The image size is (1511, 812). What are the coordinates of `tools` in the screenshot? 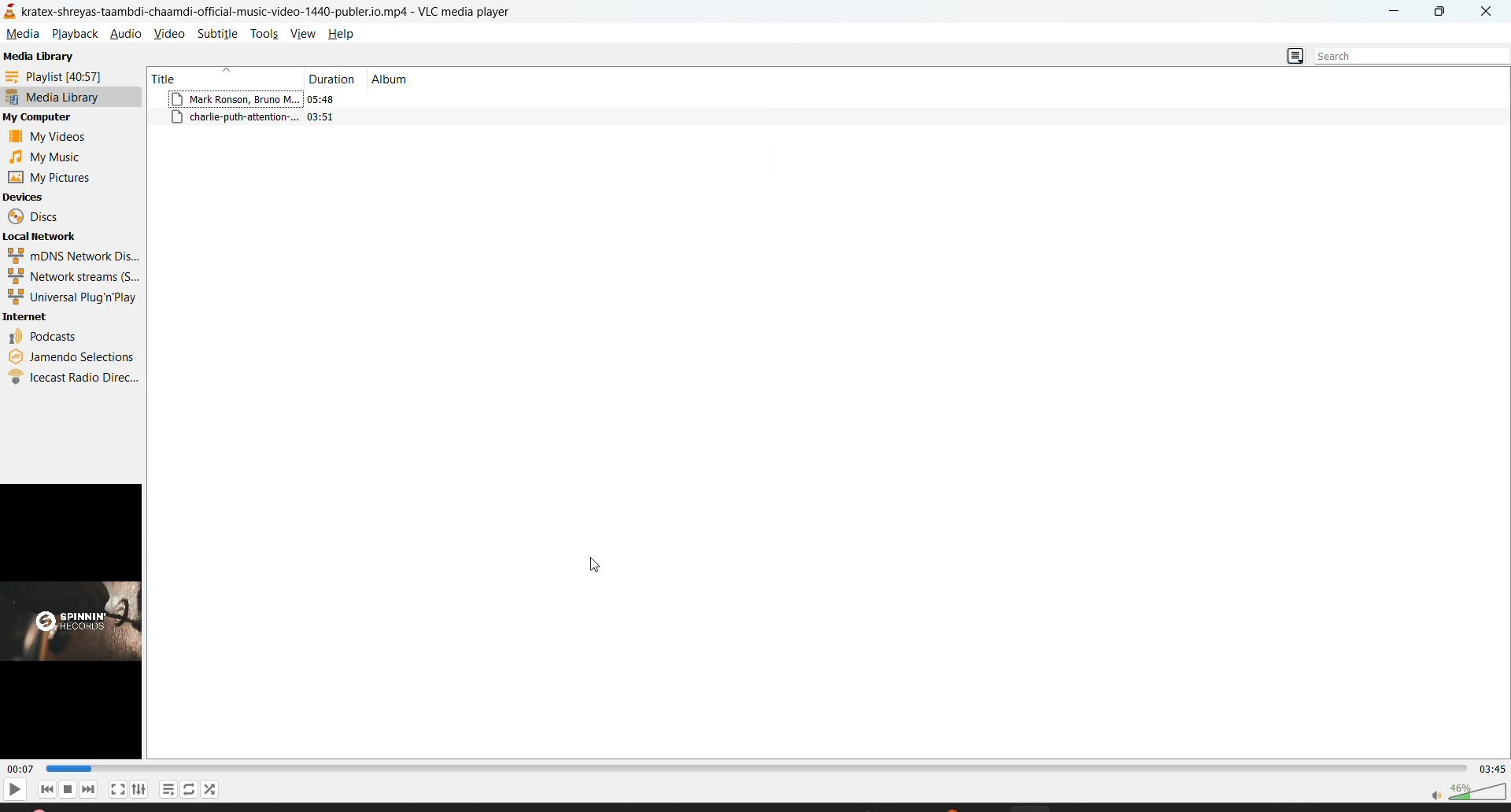 It's located at (265, 35).